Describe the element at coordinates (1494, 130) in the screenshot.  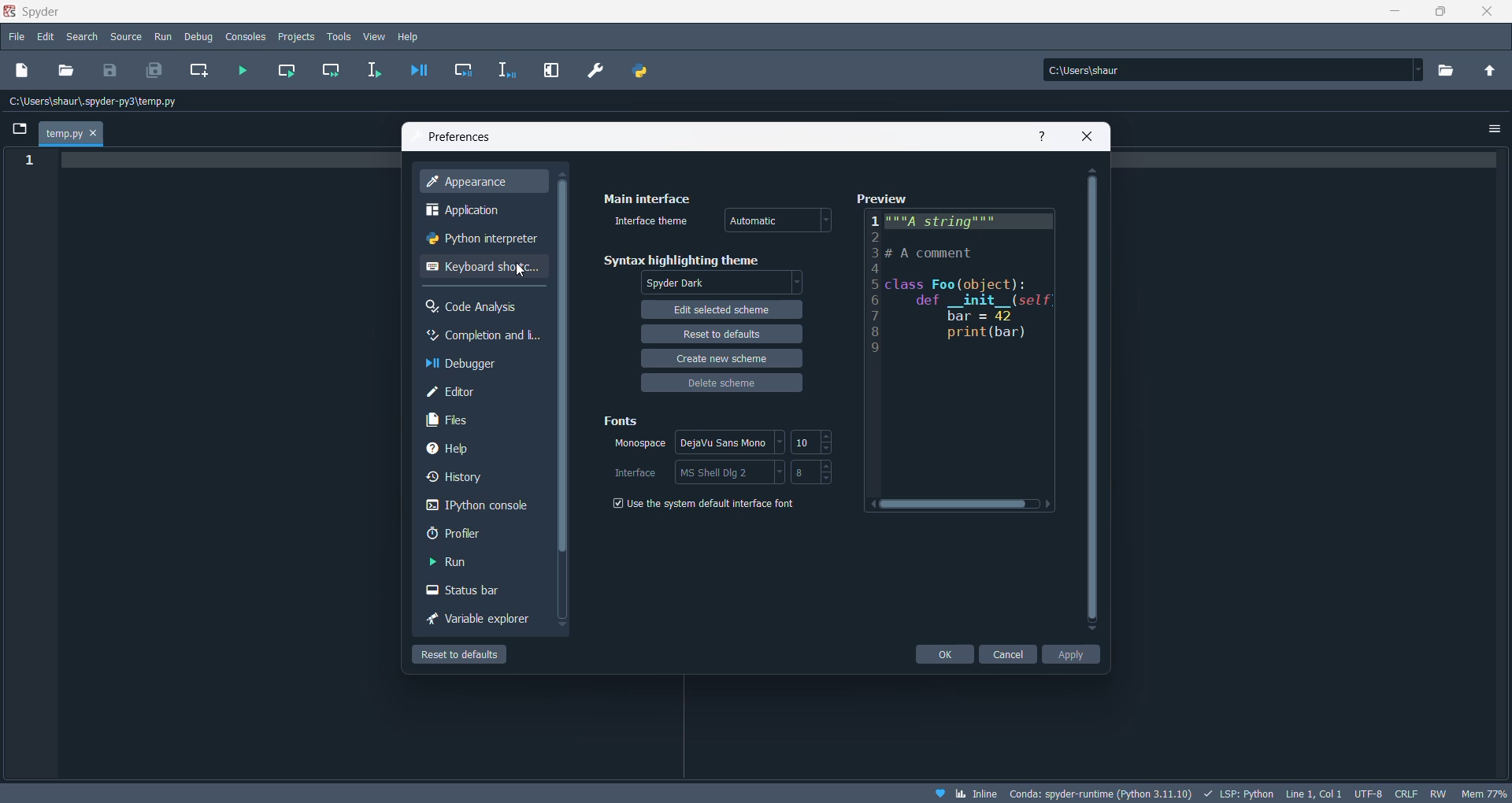
I see `options` at that location.